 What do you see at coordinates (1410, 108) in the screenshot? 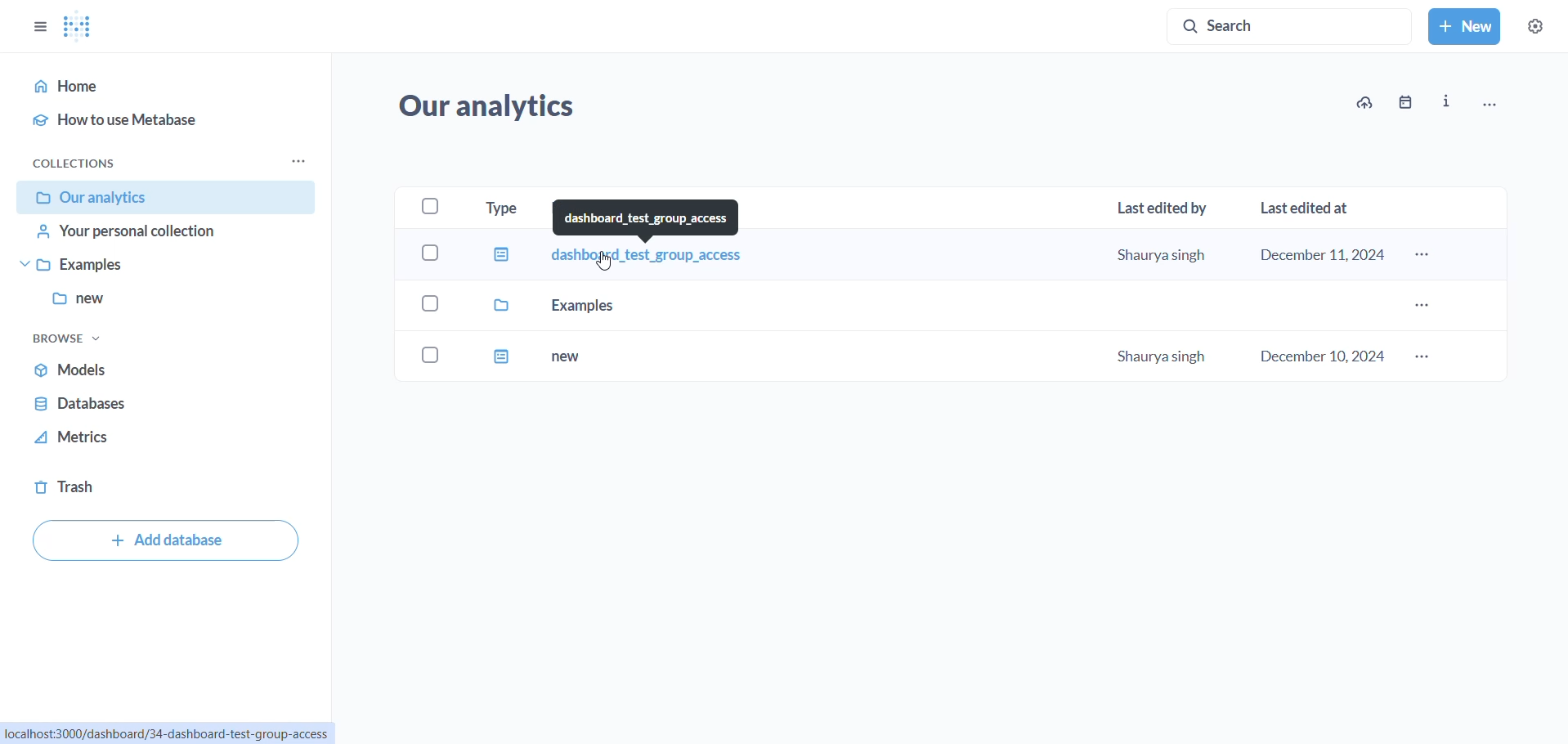
I see `calender` at bounding box center [1410, 108].